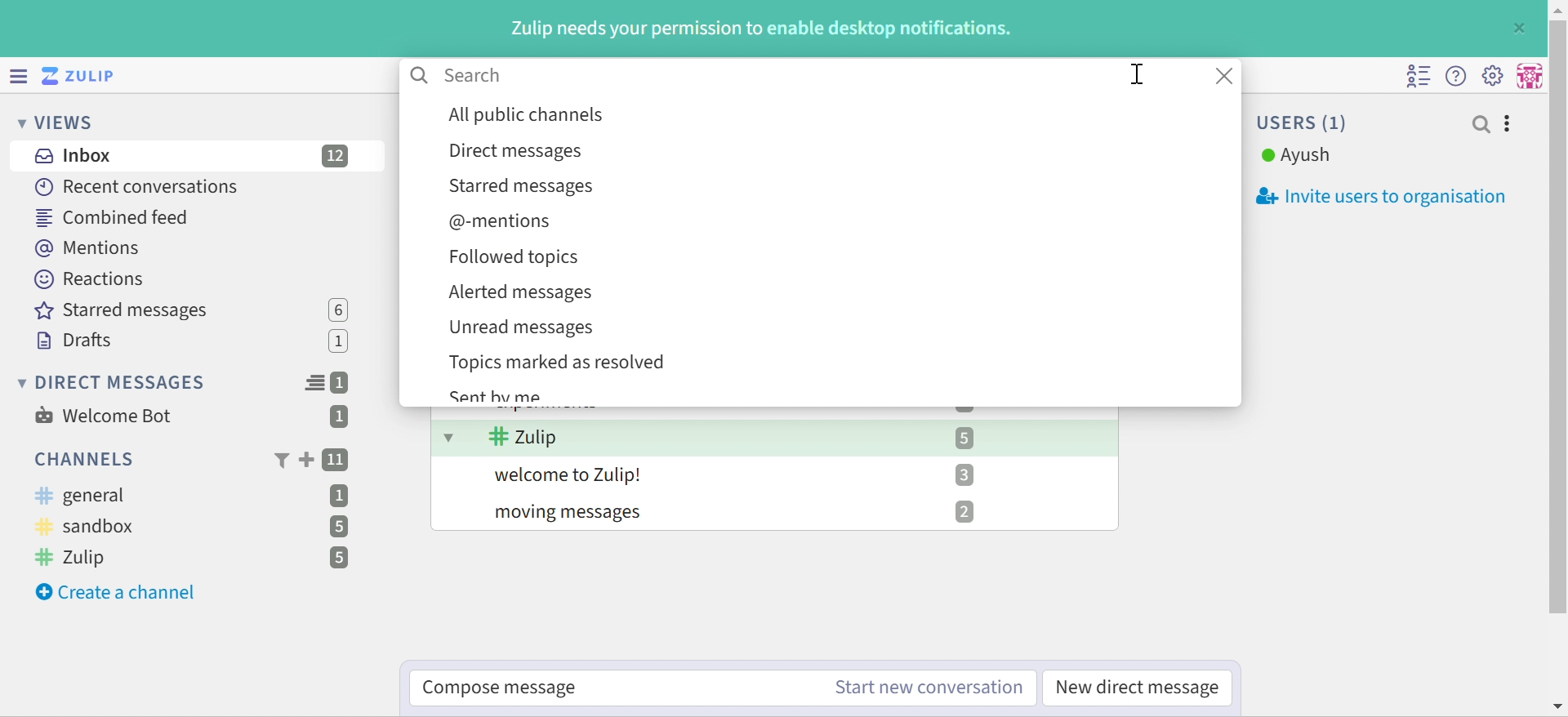  What do you see at coordinates (77, 559) in the screenshot?
I see `# Zulip` at bounding box center [77, 559].